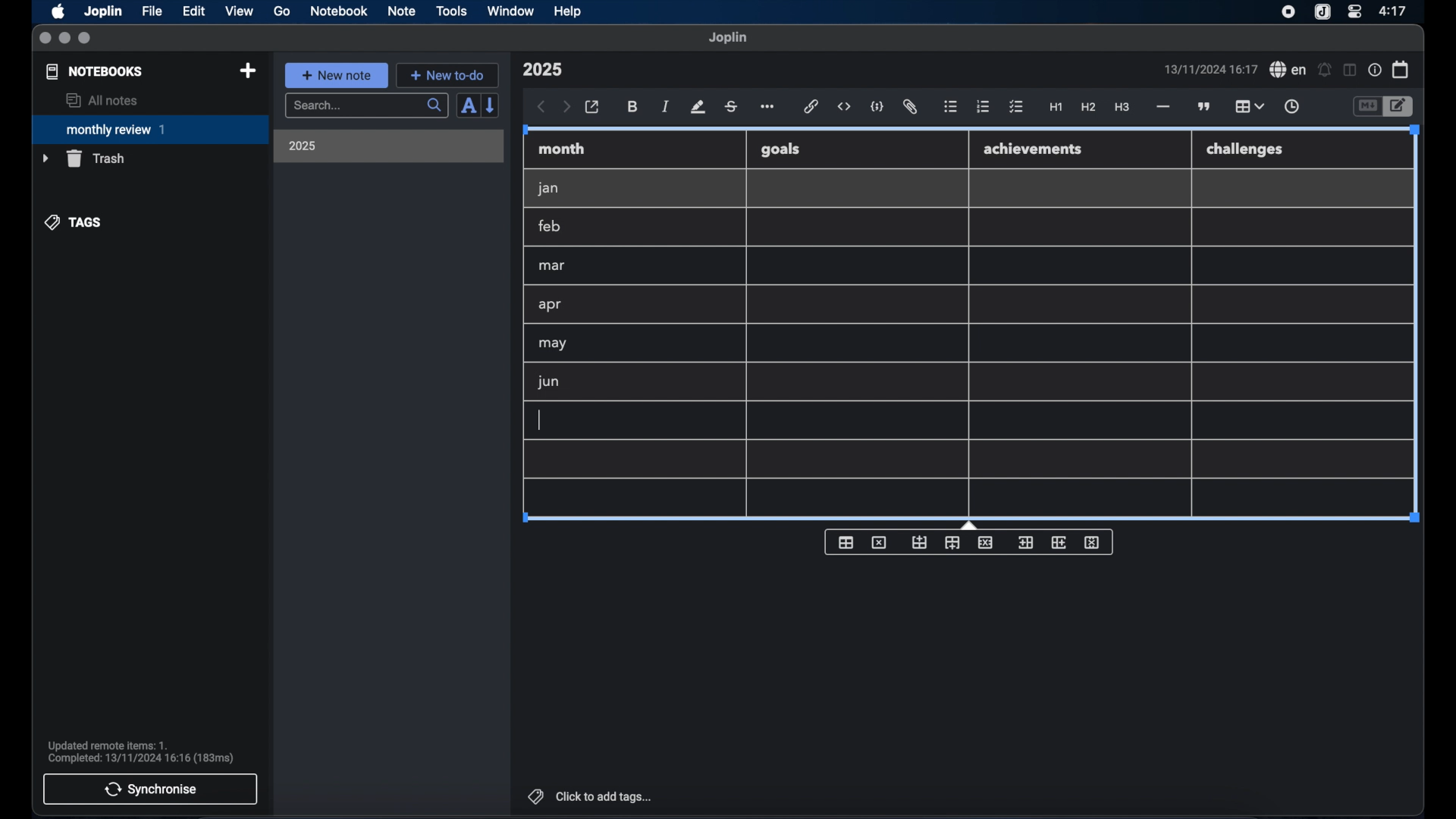 The image size is (1456, 819). Describe the element at coordinates (1025, 543) in the screenshot. I see `insert column before` at that location.